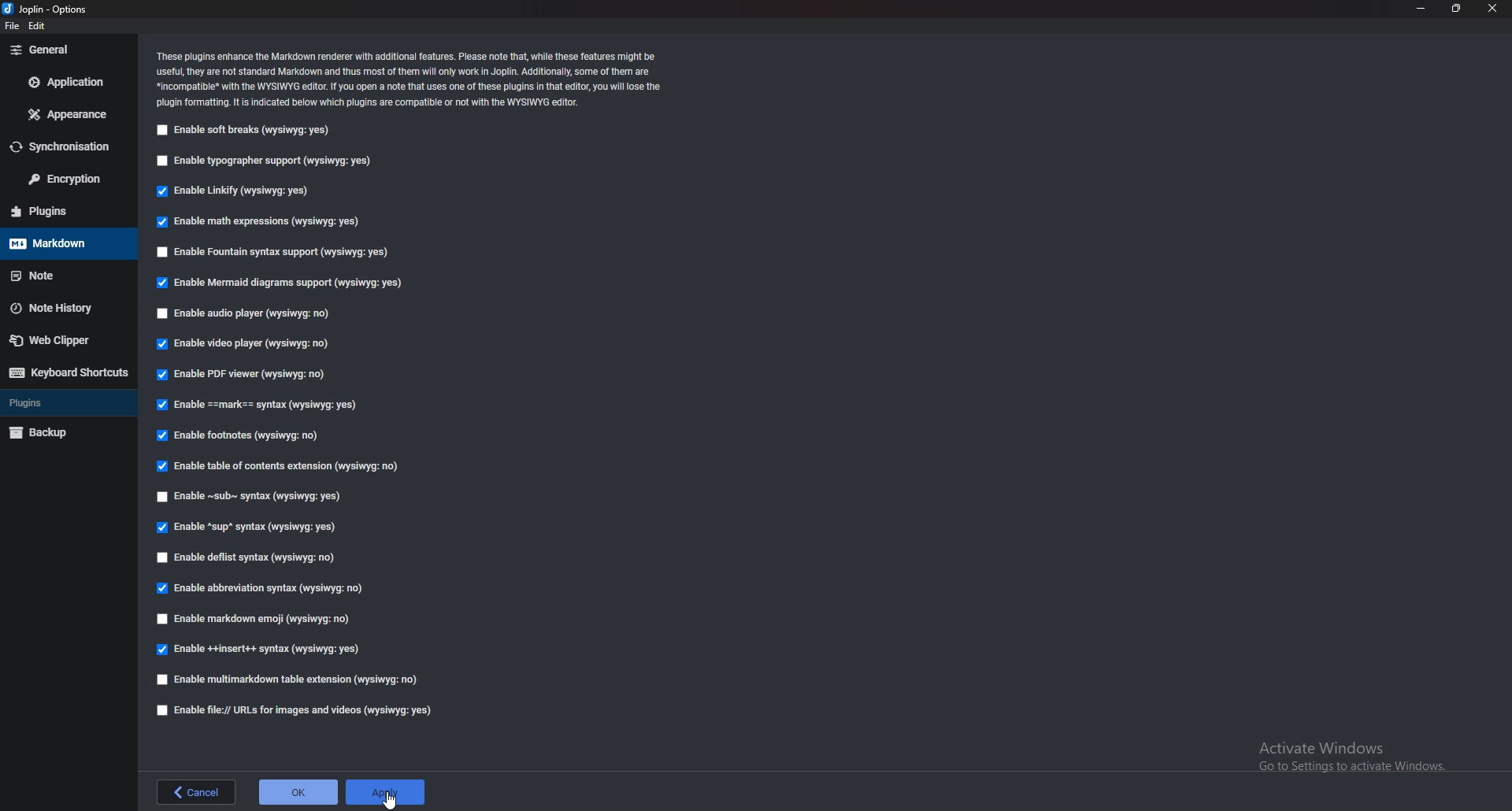 Image resolution: width=1512 pixels, height=811 pixels. I want to click on Info, so click(412, 77).